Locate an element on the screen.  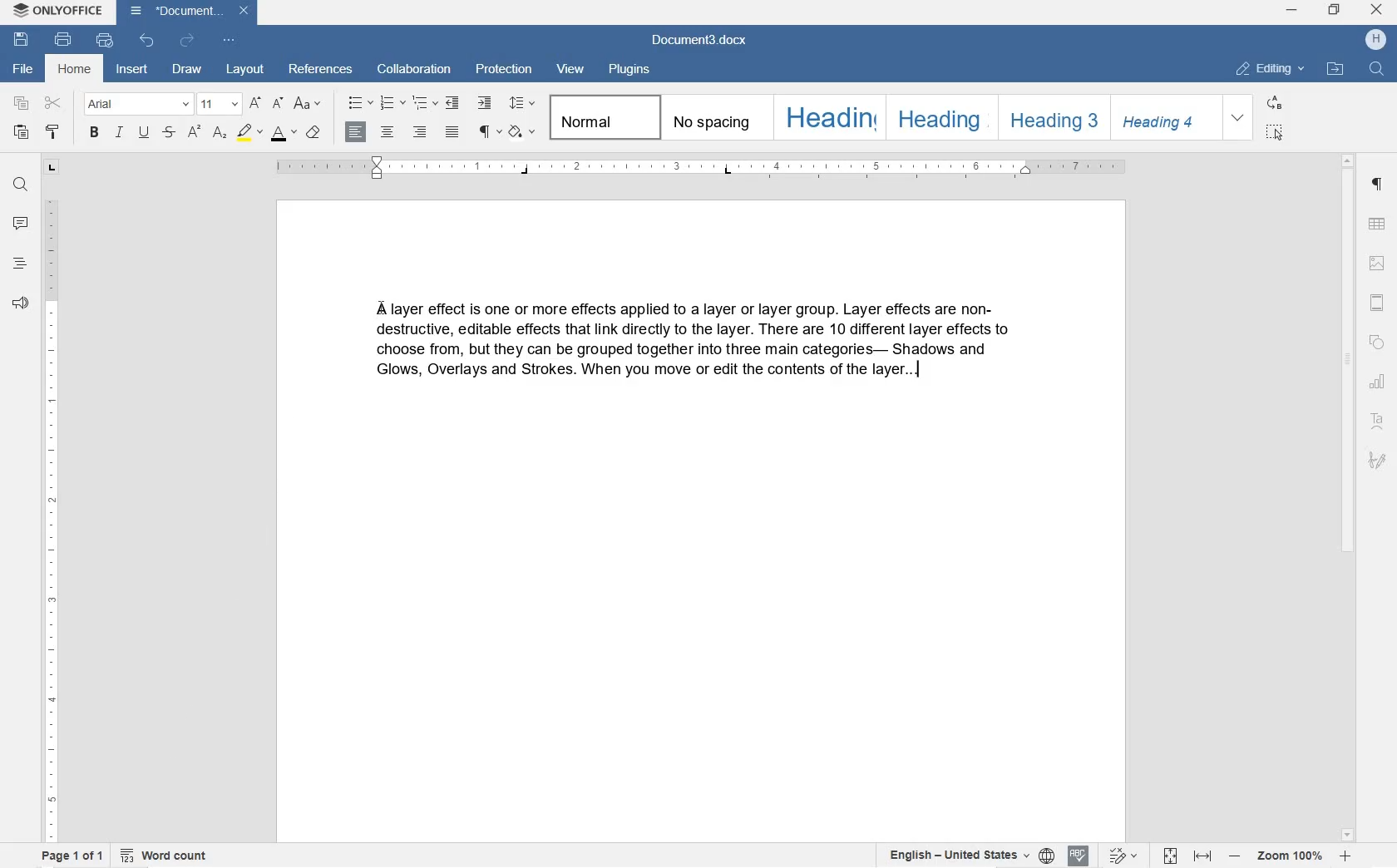
PARAGRAPH SETTINGS is located at coordinates (1377, 185).